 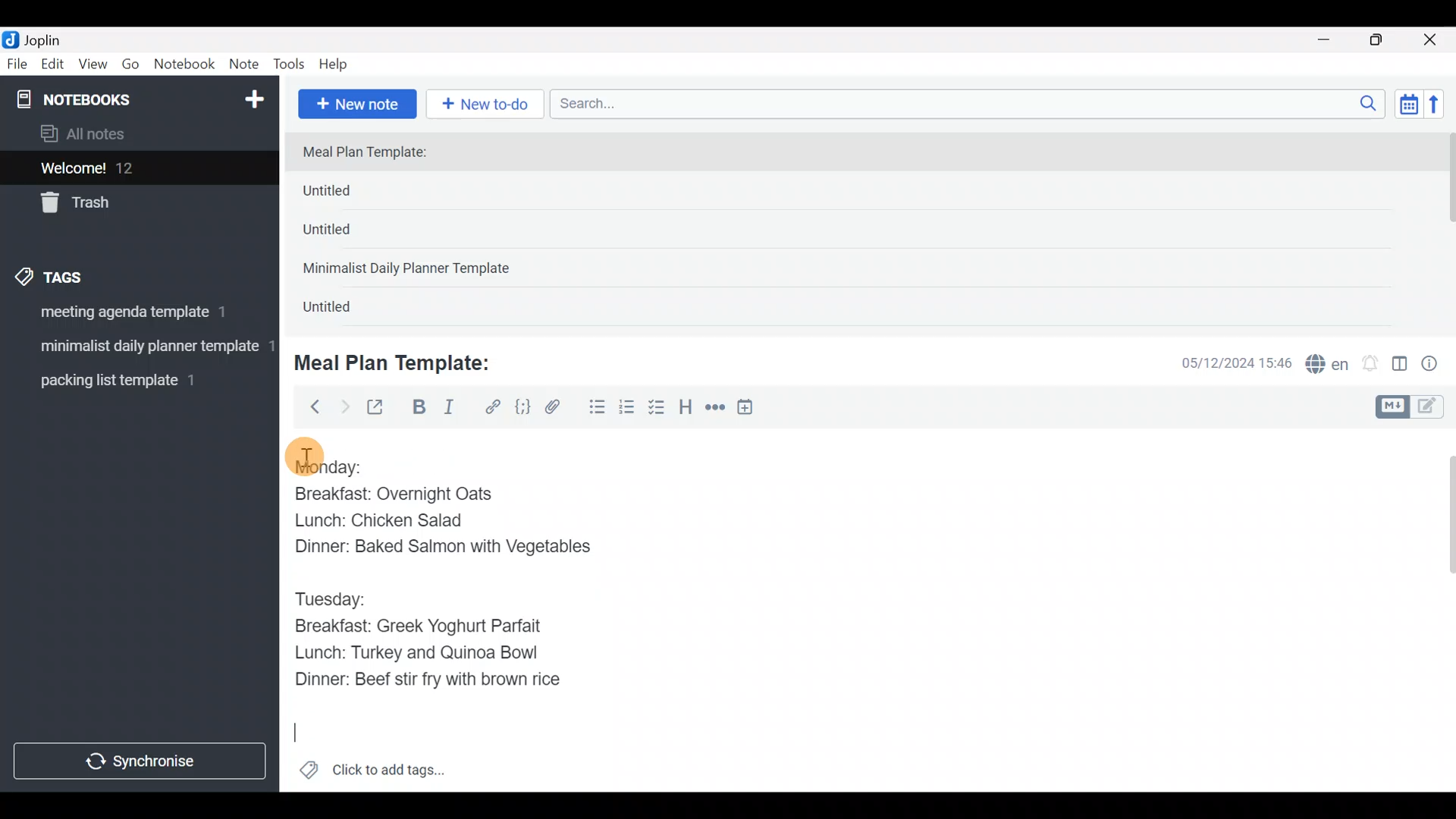 What do you see at coordinates (391, 494) in the screenshot?
I see `Breakfast: Overnight Oats` at bounding box center [391, 494].